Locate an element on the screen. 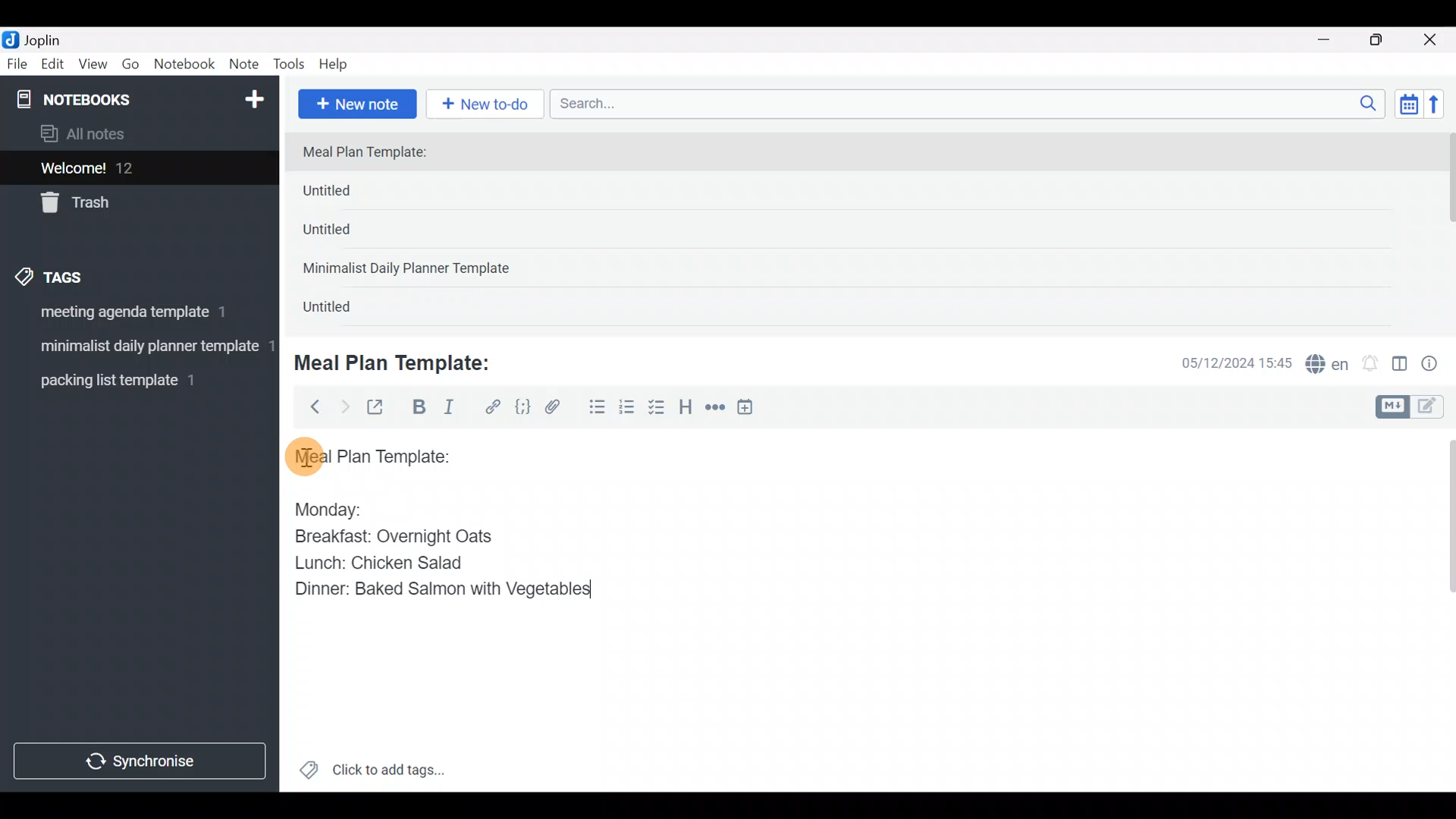  Back is located at coordinates (309, 406).